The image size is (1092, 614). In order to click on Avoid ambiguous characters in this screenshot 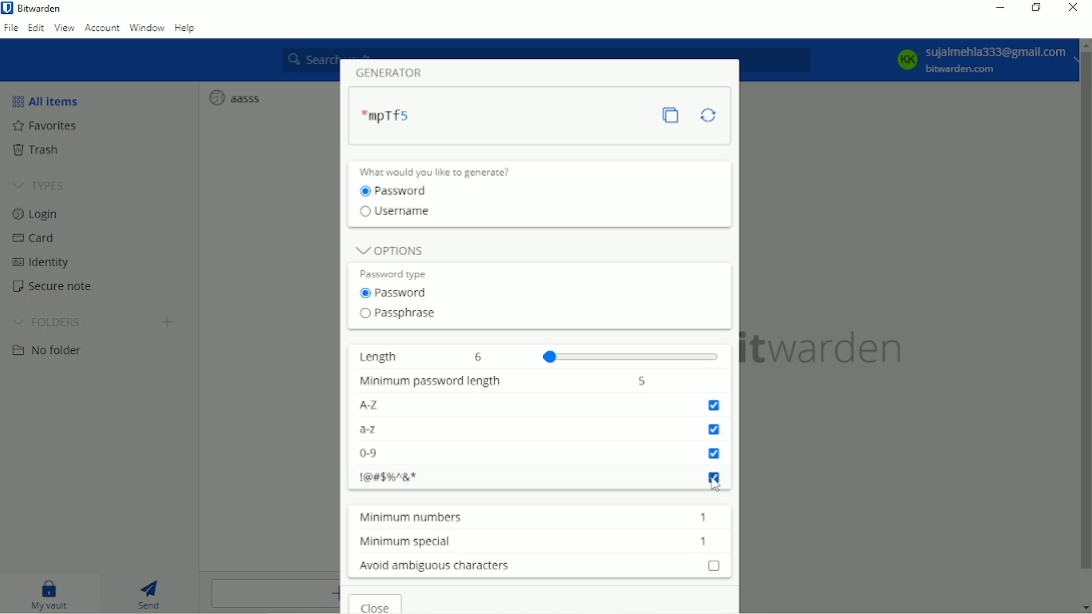, I will do `click(439, 568)`.